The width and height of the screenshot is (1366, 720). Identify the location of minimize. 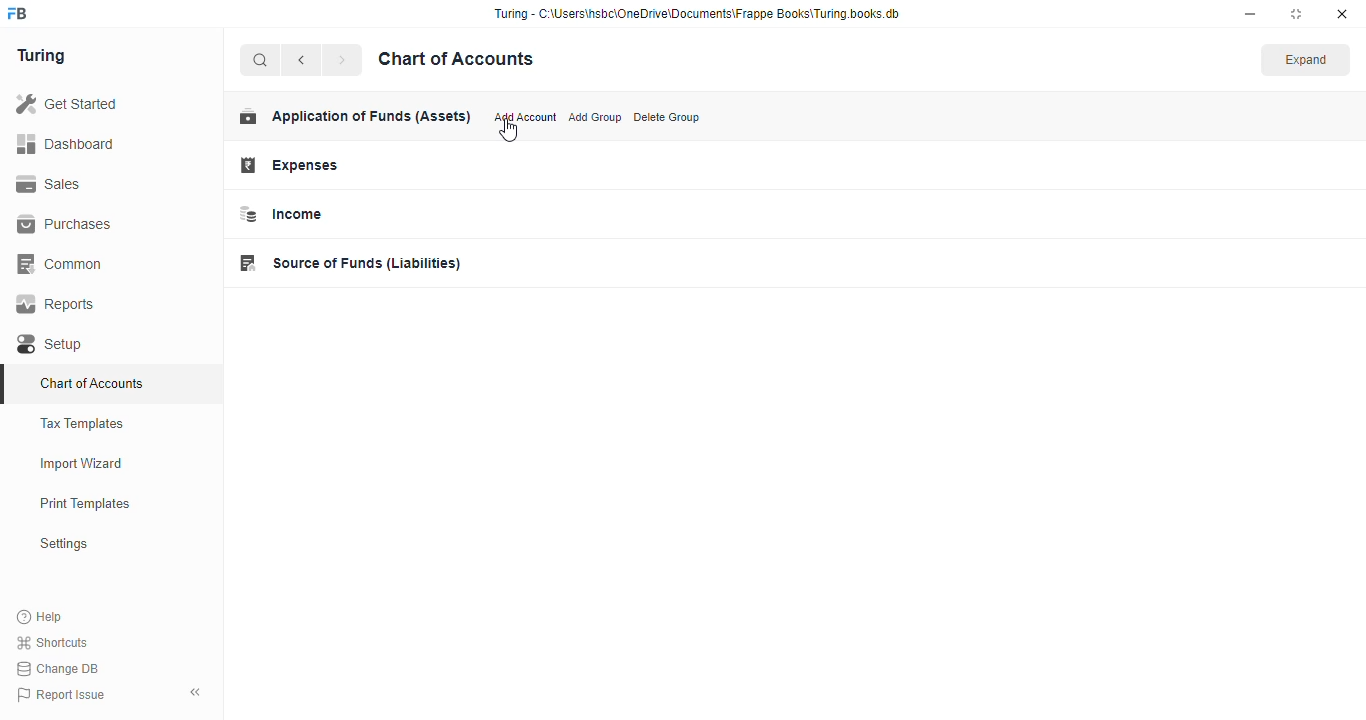
(1250, 14).